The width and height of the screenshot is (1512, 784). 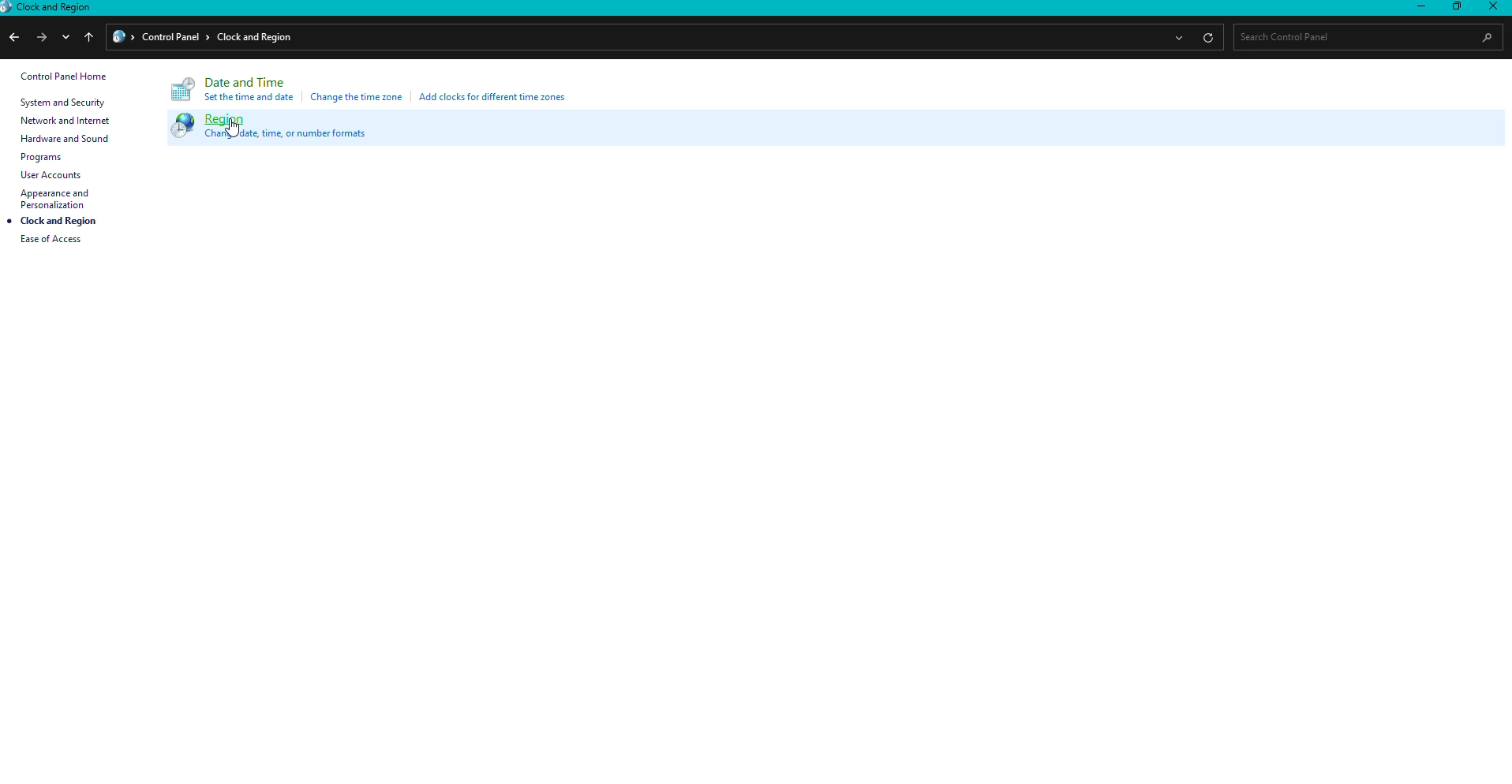 What do you see at coordinates (249, 83) in the screenshot?
I see `Date and Time` at bounding box center [249, 83].